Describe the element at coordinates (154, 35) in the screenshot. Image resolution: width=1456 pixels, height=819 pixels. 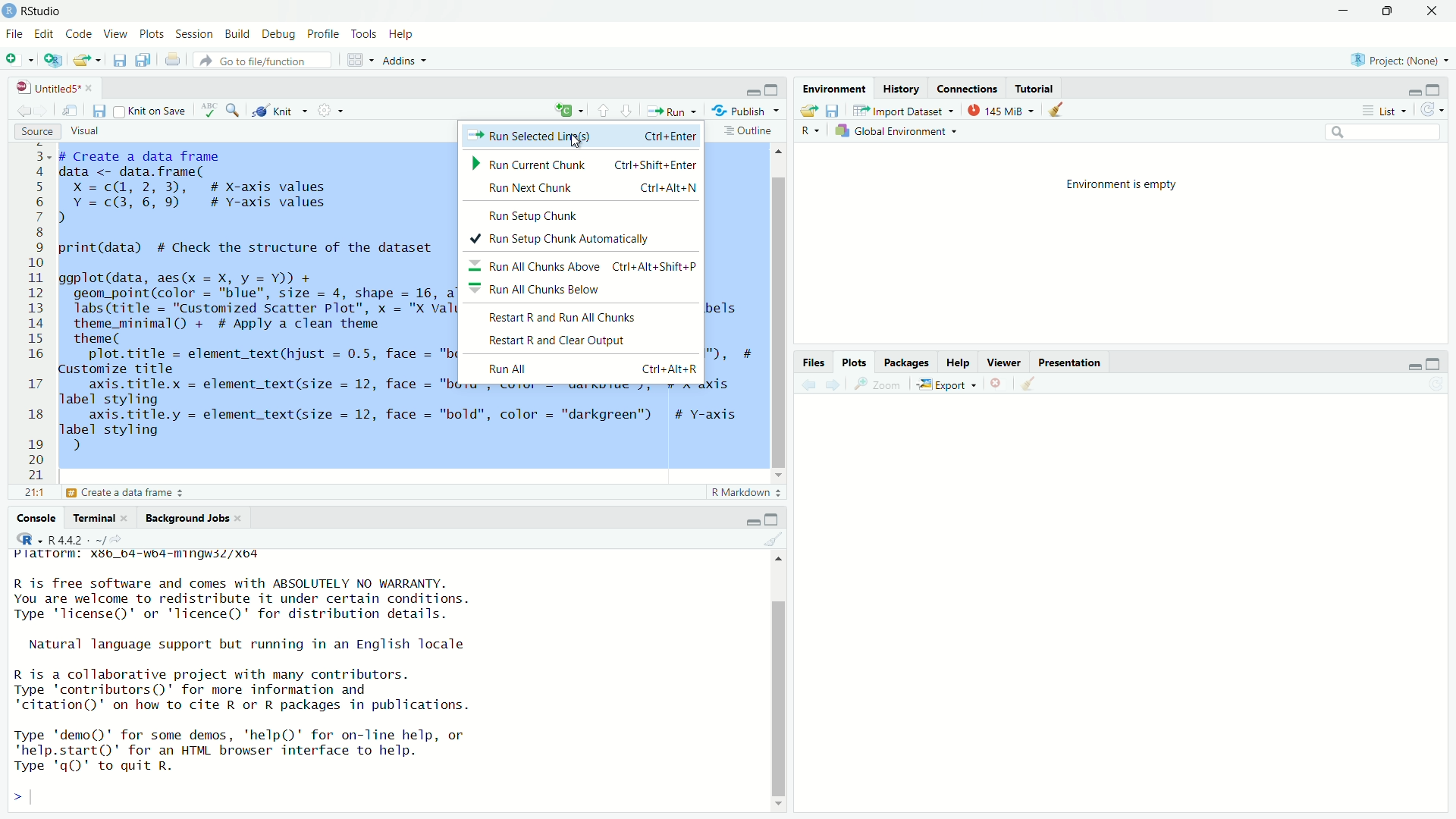
I see `Plots` at that location.